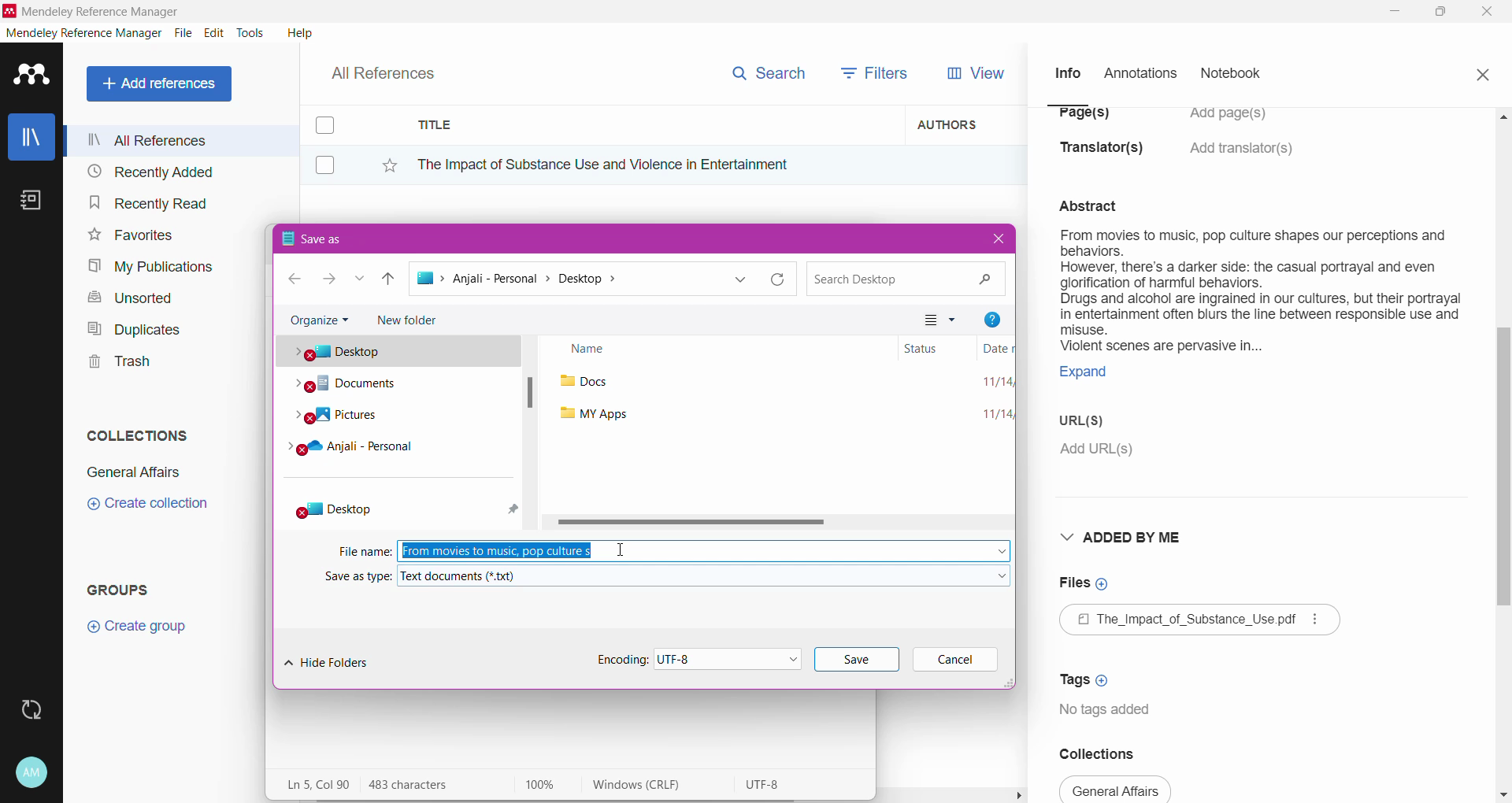  What do you see at coordinates (381, 162) in the screenshot?
I see `Click to Add to Favorites` at bounding box center [381, 162].